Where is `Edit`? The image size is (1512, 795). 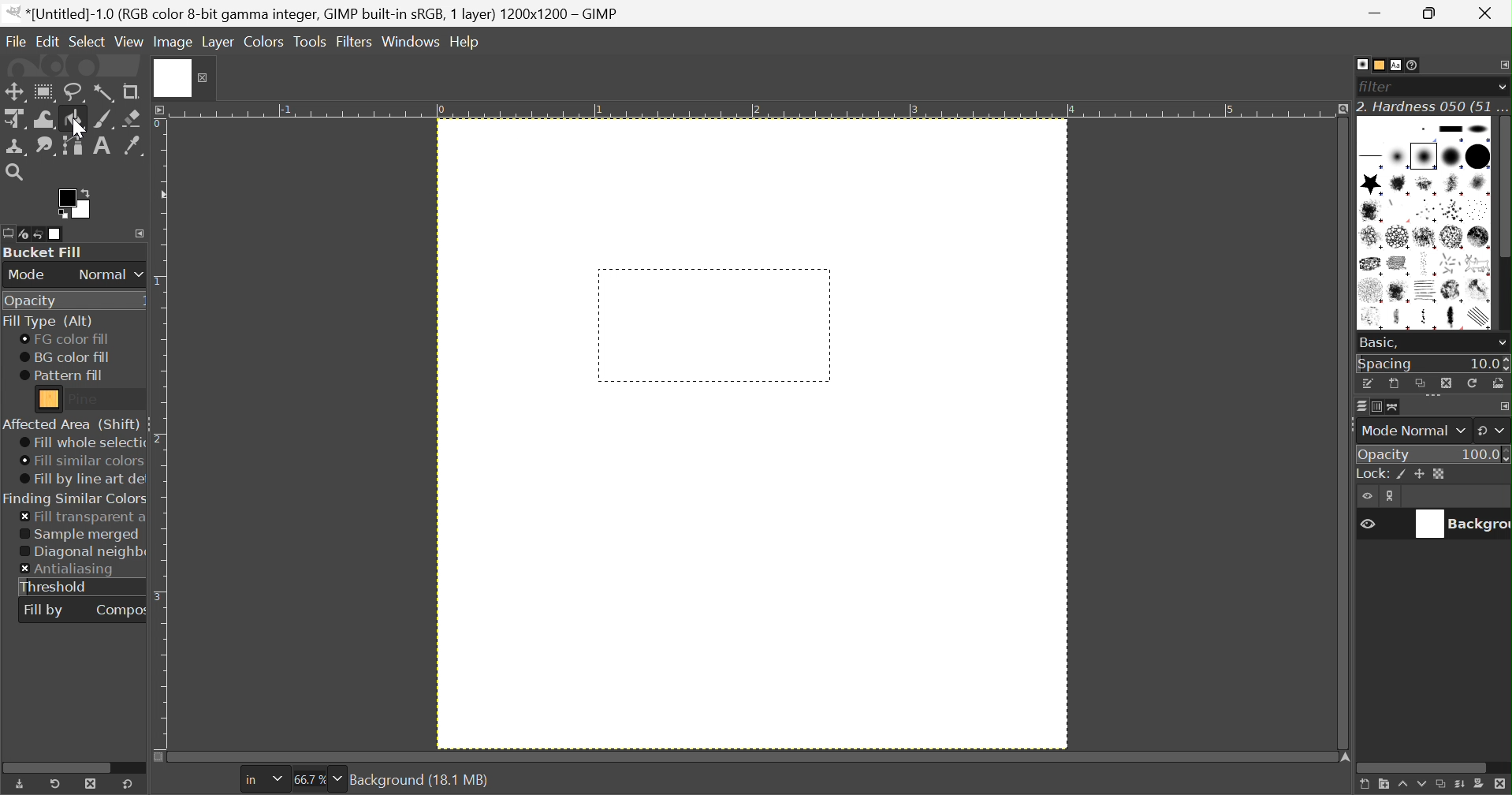 Edit is located at coordinates (47, 40).